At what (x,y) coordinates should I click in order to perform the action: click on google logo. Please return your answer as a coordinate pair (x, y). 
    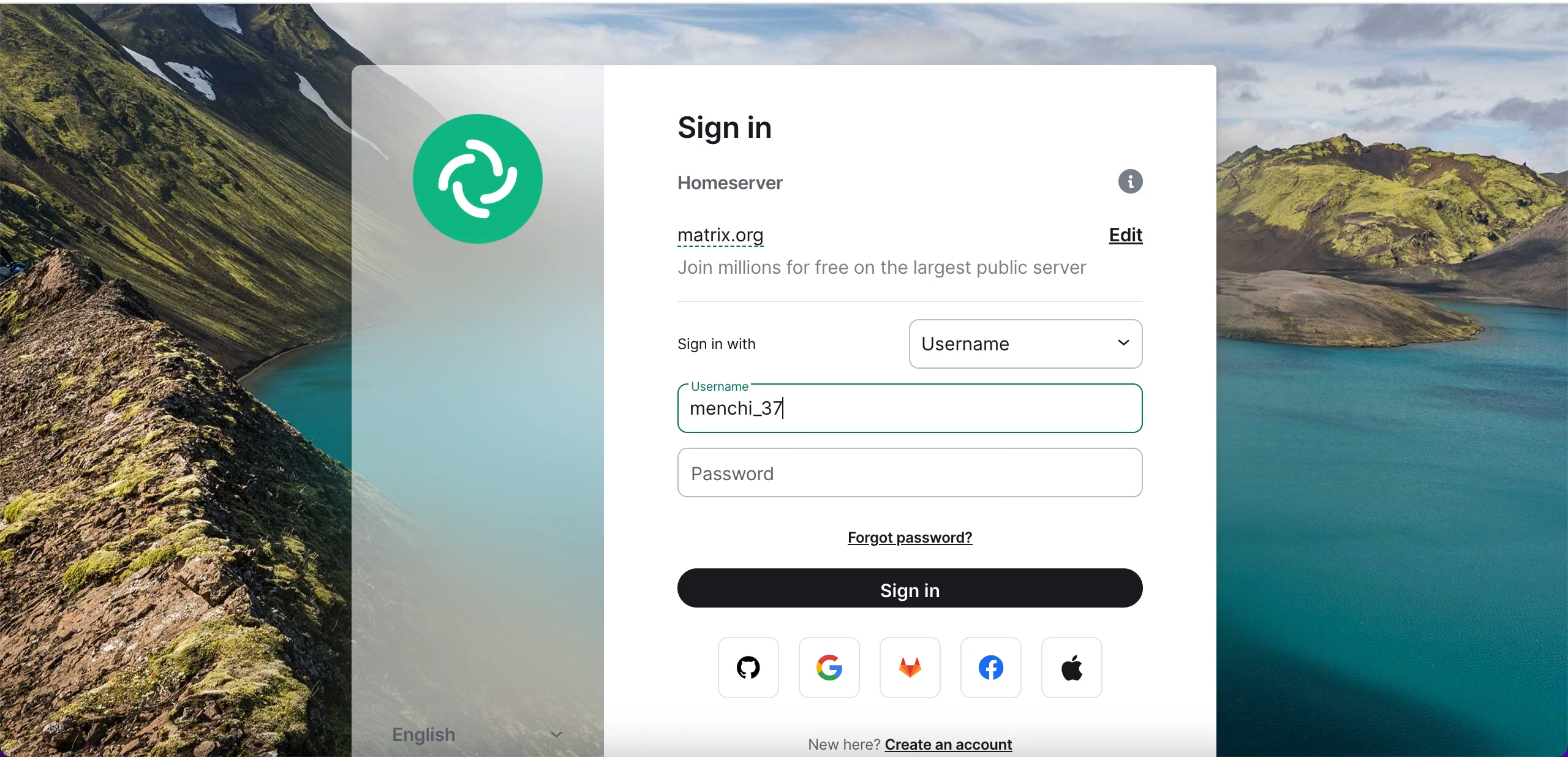
    Looking at the image, I should click on (832, 669).